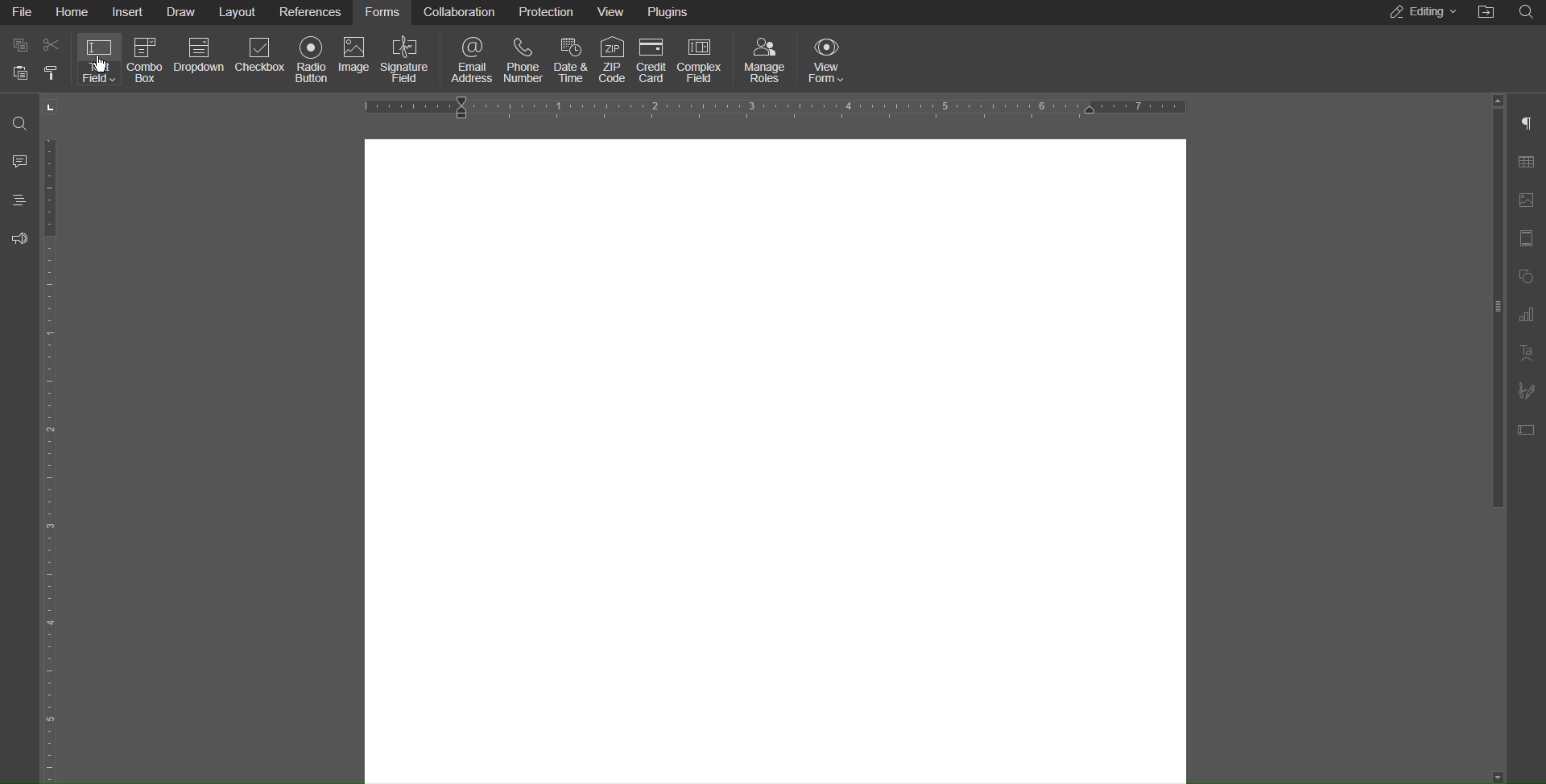 This screenshot has width=1546, height=784. Describe the element at coordinates (1500, 439) in the screenshot. I see `slider` at that location.